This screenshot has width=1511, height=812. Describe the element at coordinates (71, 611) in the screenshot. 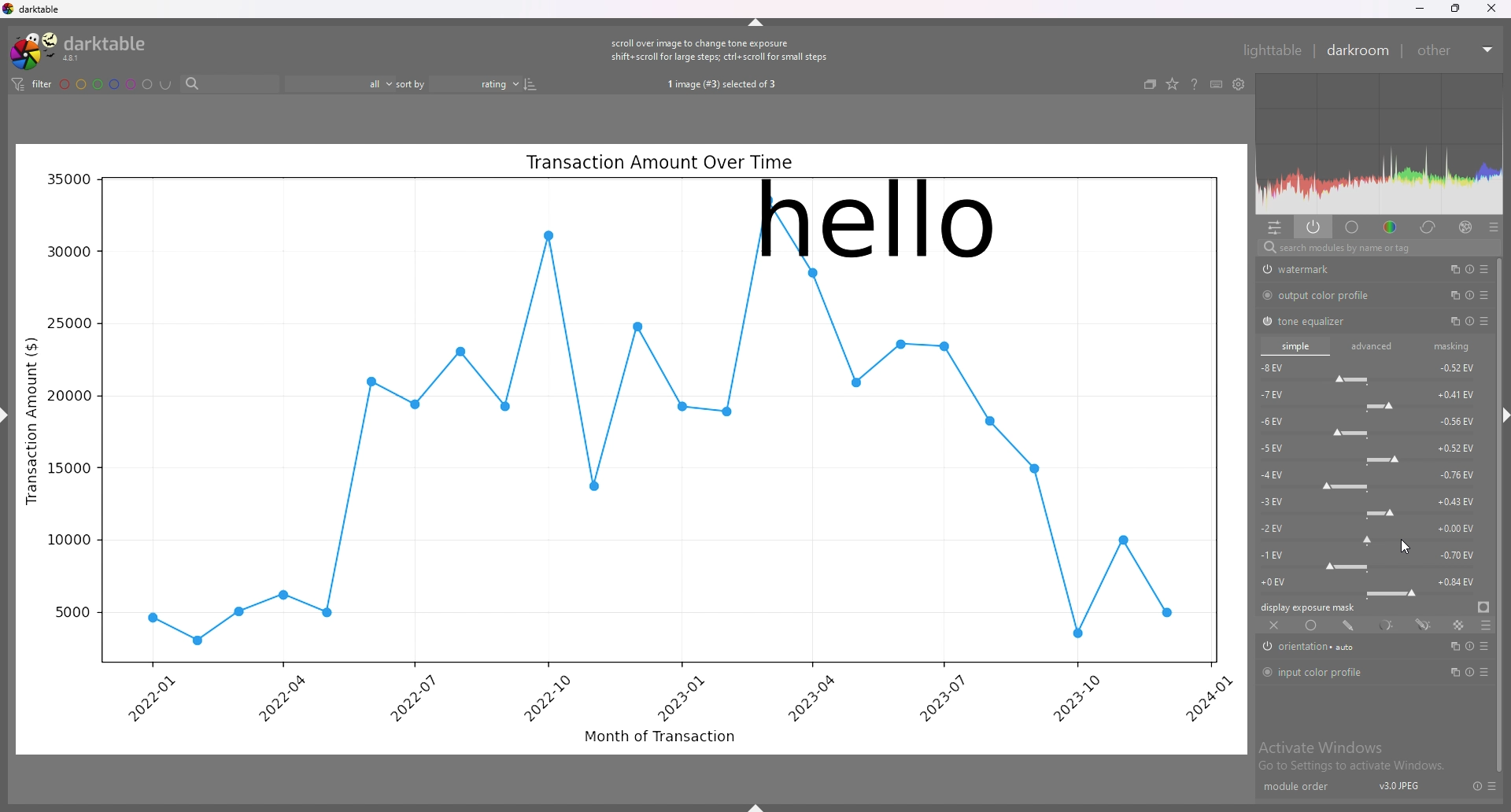

I see `5000` at that location.